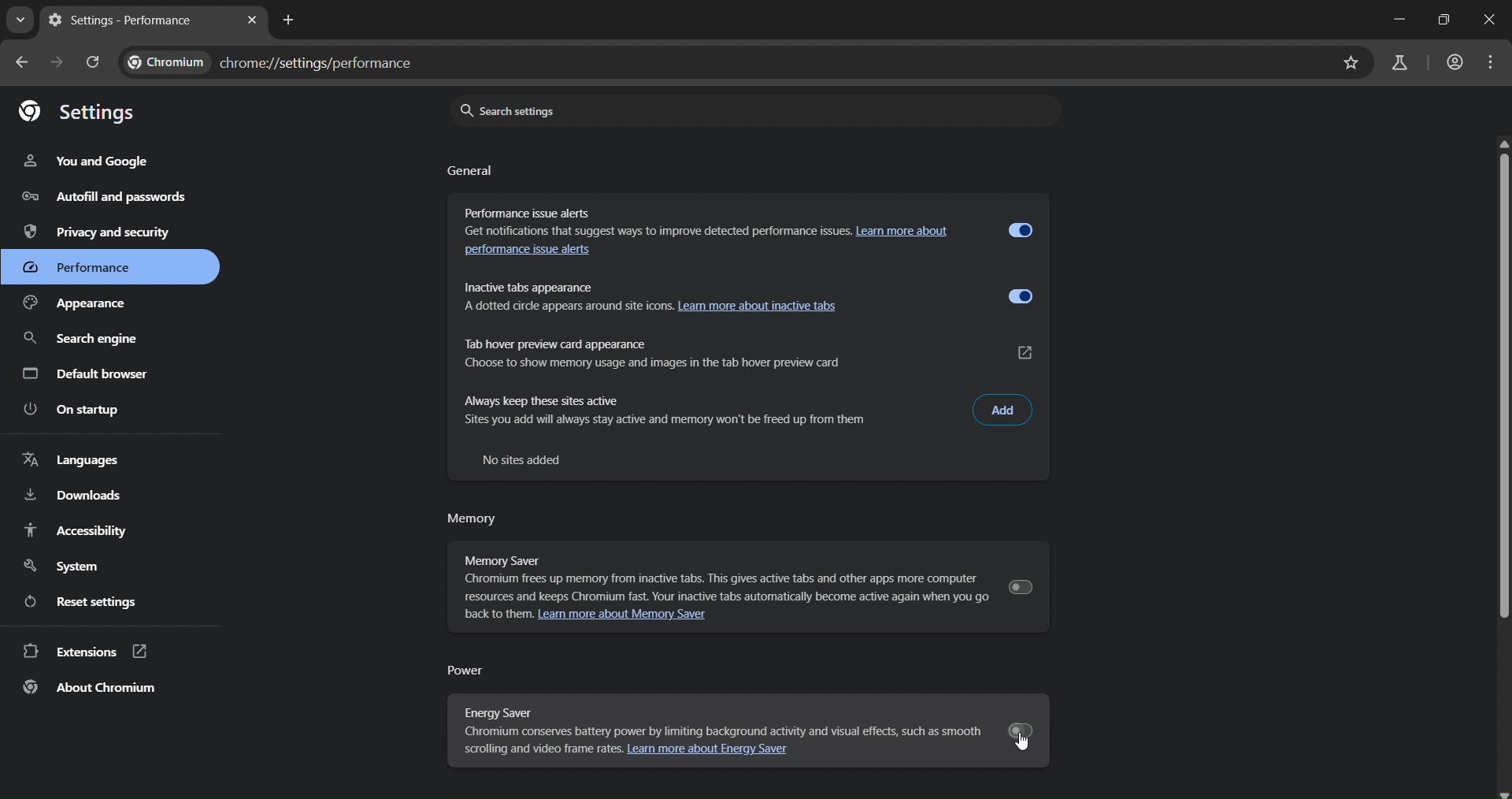 This screenshot has height=799, width=1512. Describe the element at coordinates (87, 600) in the screenshot. I see `reset settings` at that location.